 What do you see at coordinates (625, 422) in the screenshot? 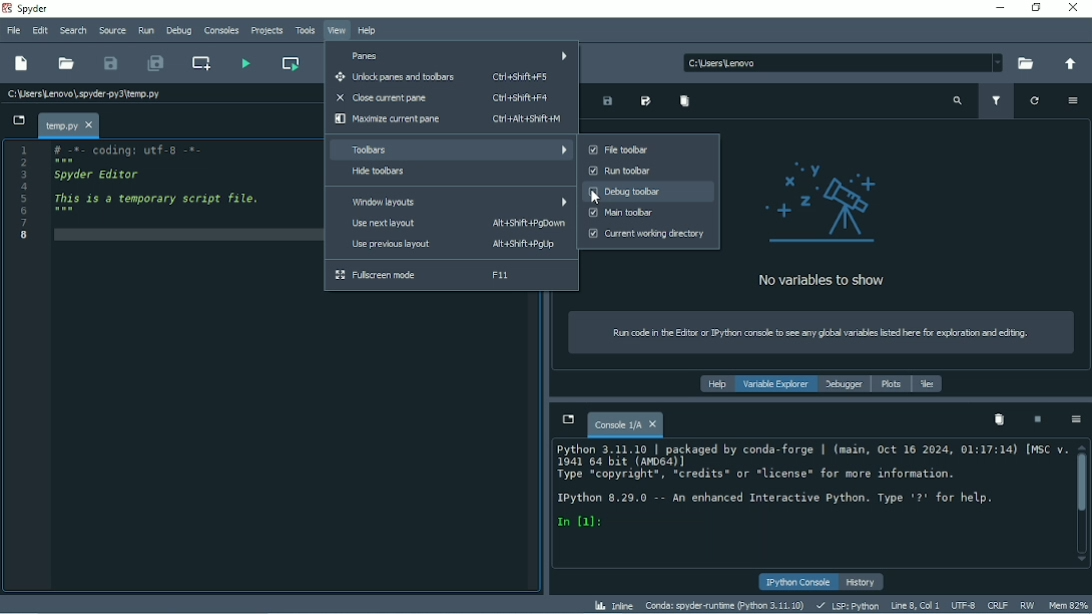
I see `Console` at bounding box center [625, 422].